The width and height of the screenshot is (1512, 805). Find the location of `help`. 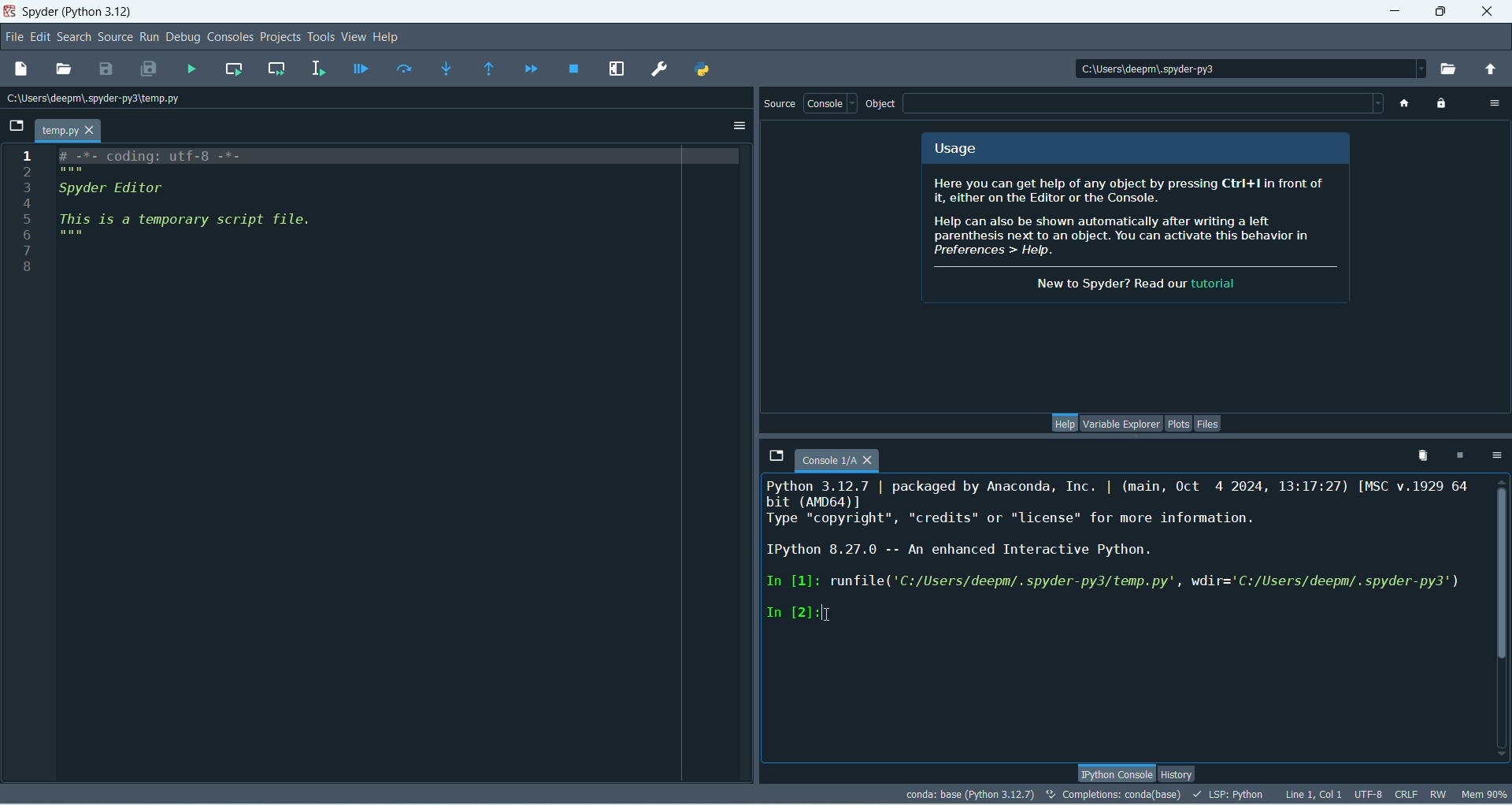

help is located at coordinates (1062, 421).